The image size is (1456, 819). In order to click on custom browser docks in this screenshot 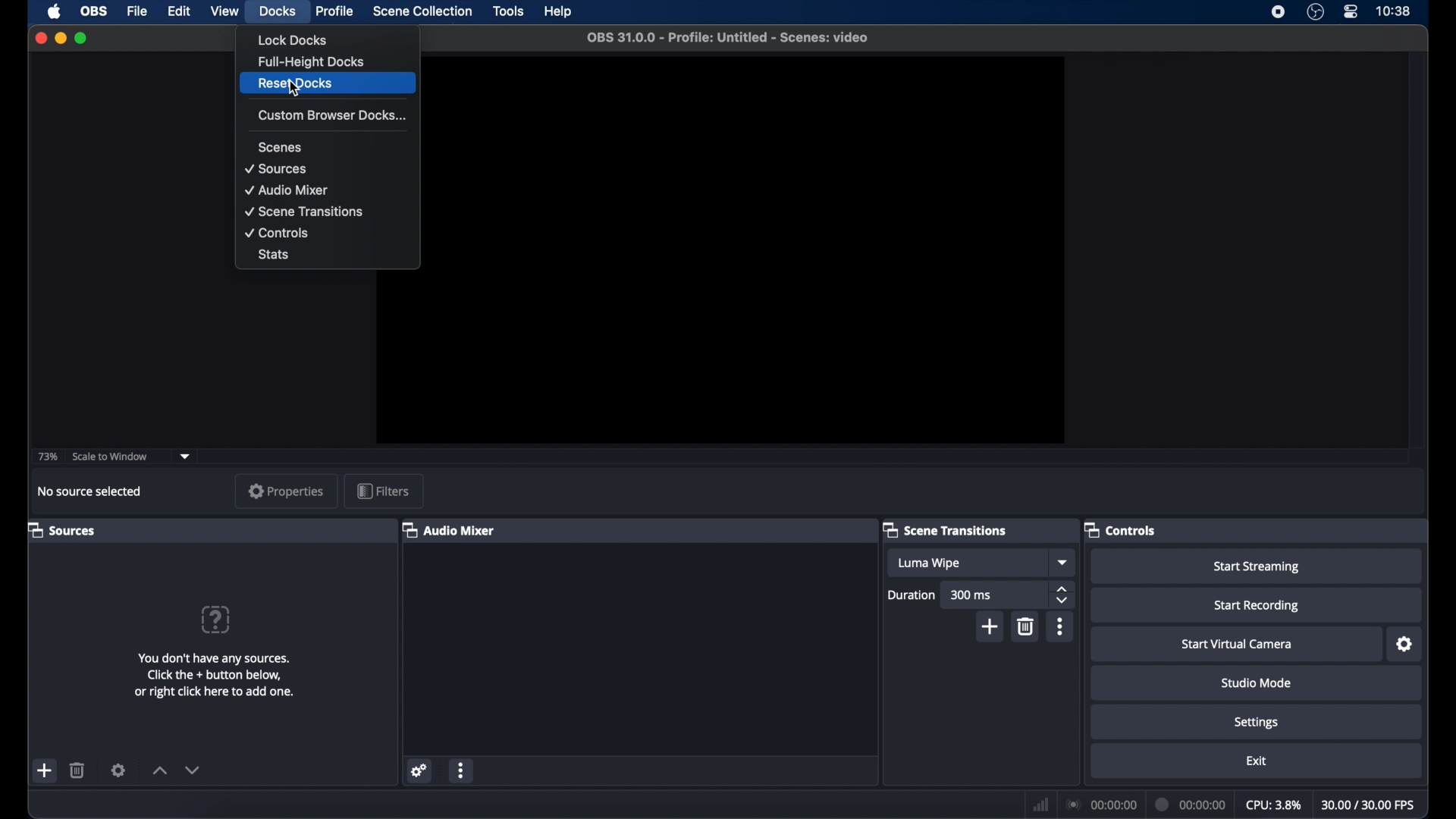, I will do `click(333, 115)`.